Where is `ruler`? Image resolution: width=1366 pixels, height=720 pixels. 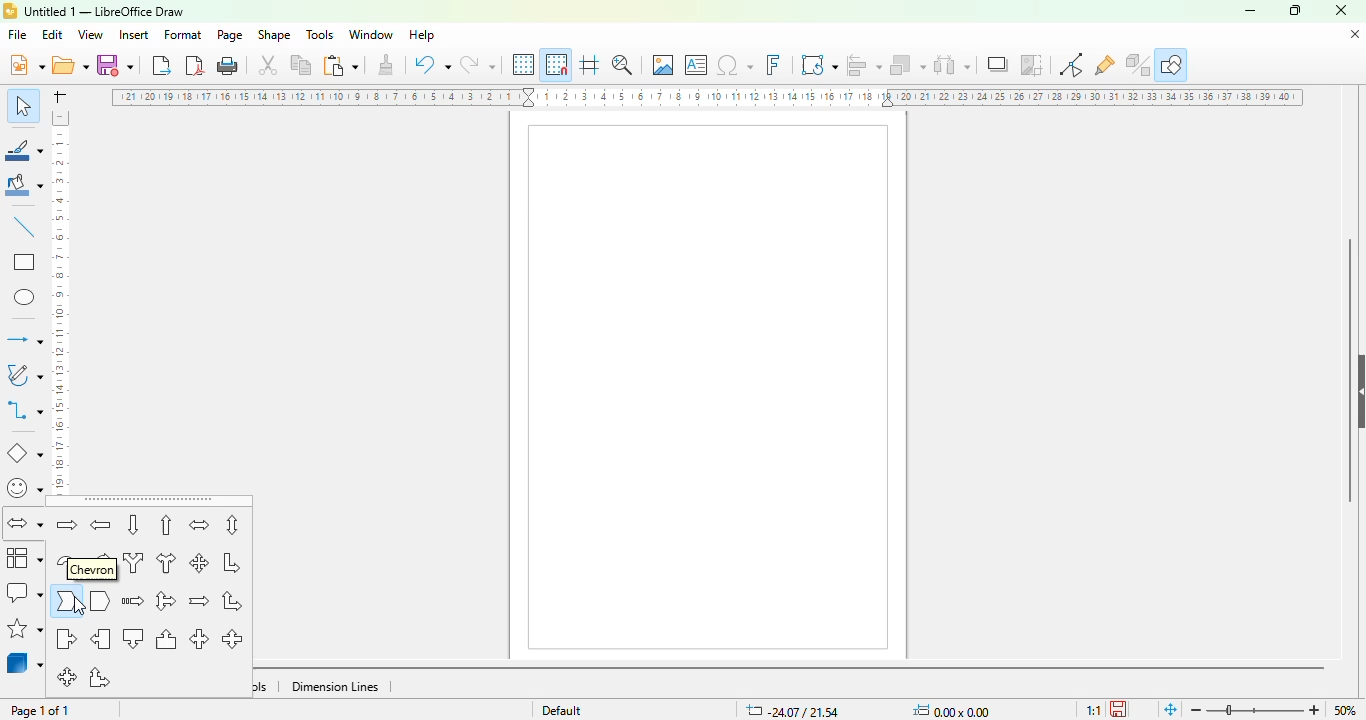 ruler is located at coordinates (59, 302).